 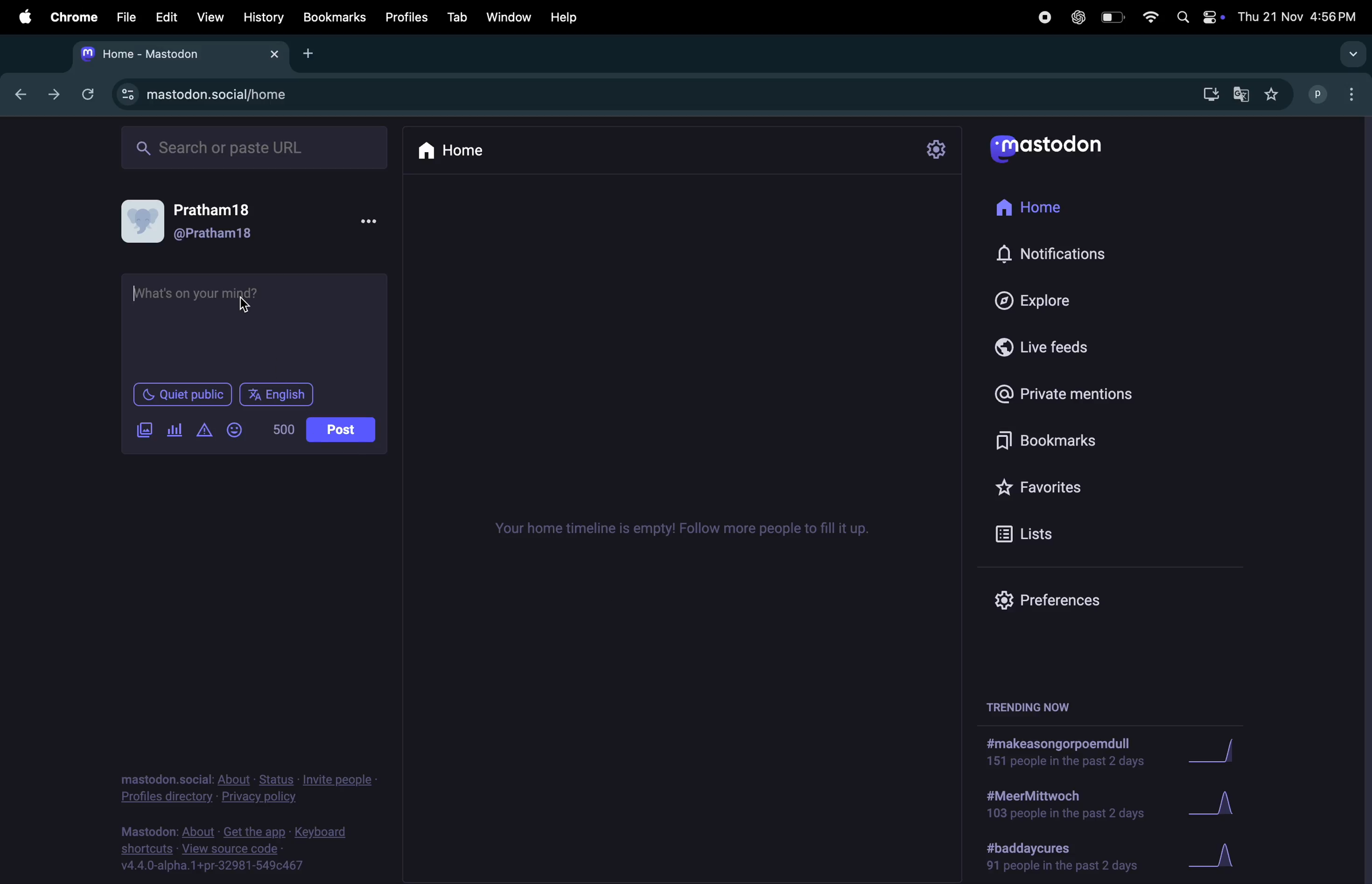 What do you see at coordinates (136, 294) in the screenshot?
I see `cursor` at bounding box center [136, 294].